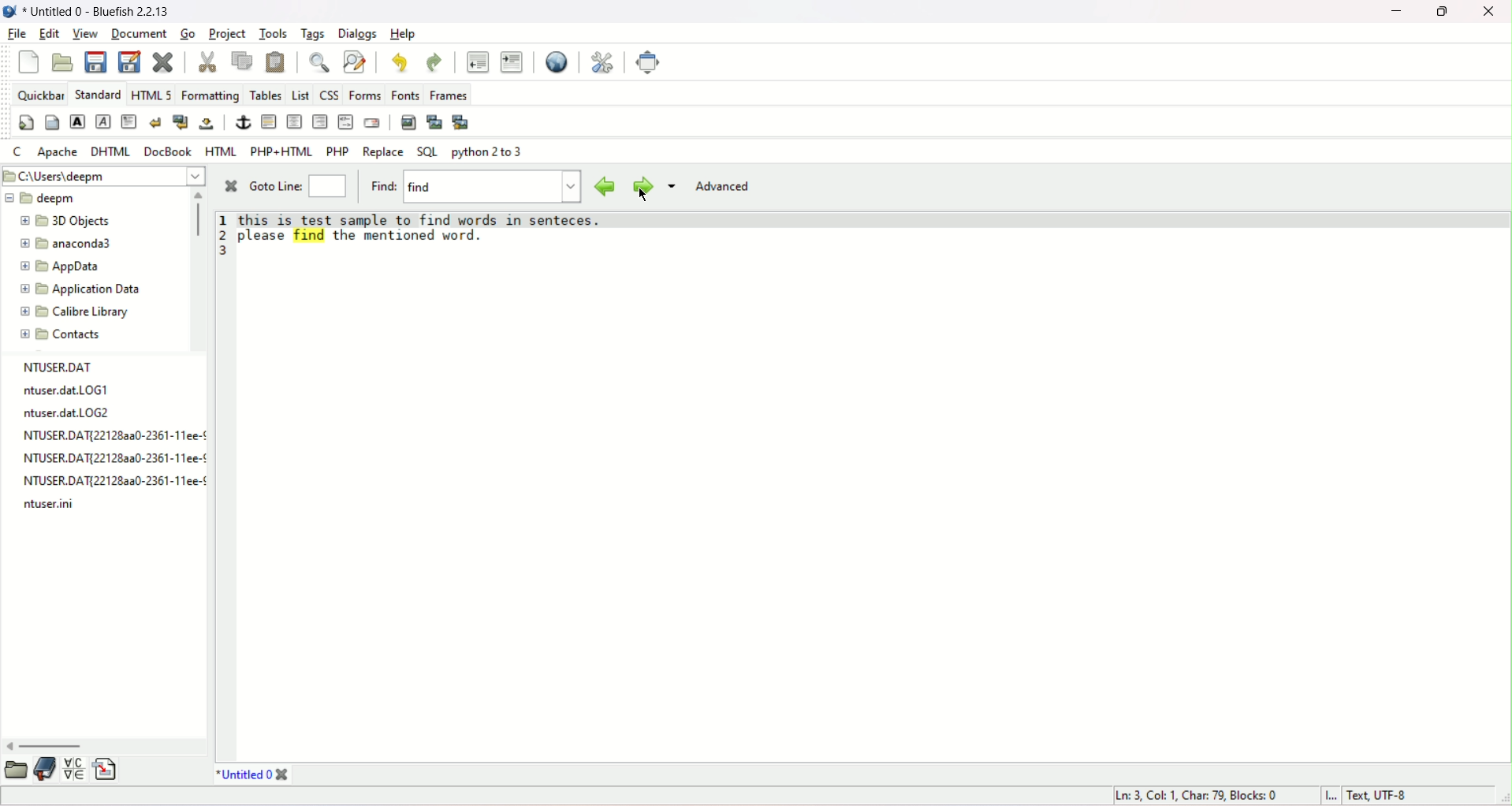  What do you see at coordinates (57, 151) in the screenshot?
I see `Apache` at bounding box center [57, 151].